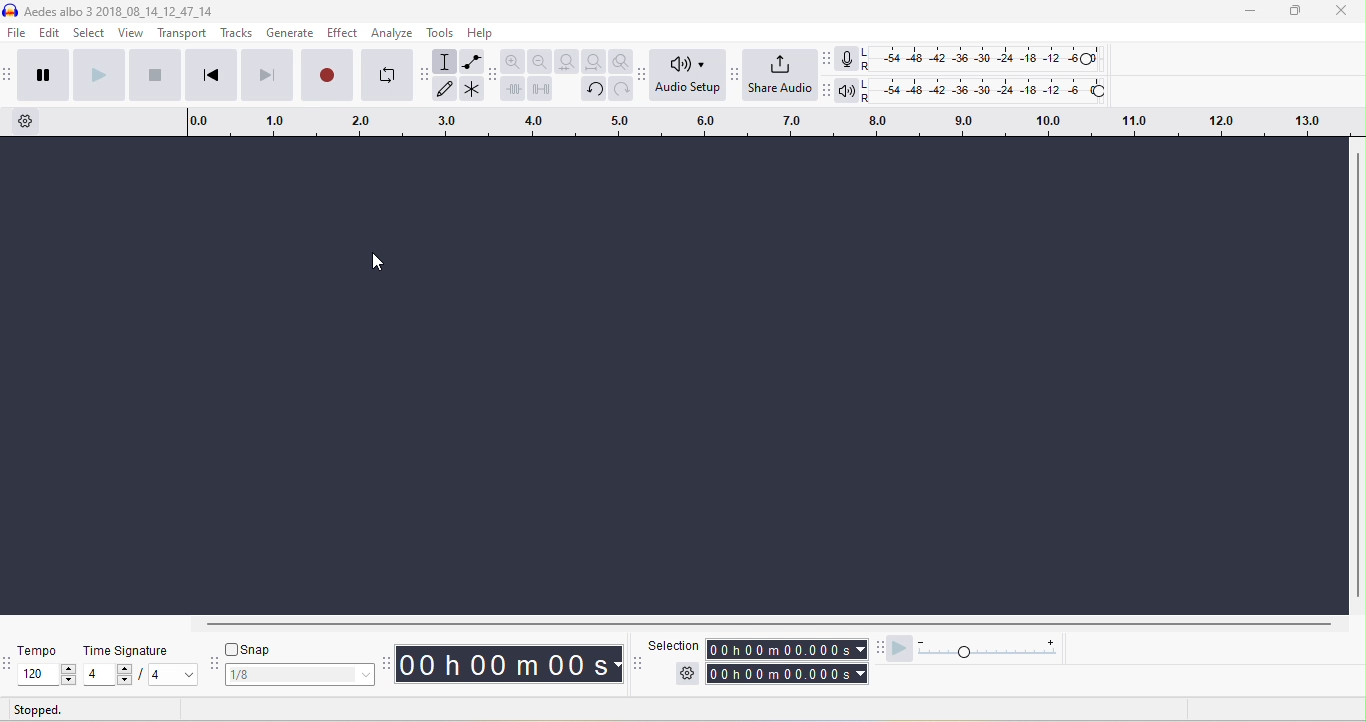  Describe the element at coordinates (847, 60) in the screenshot. I see `recording meter` at that location.